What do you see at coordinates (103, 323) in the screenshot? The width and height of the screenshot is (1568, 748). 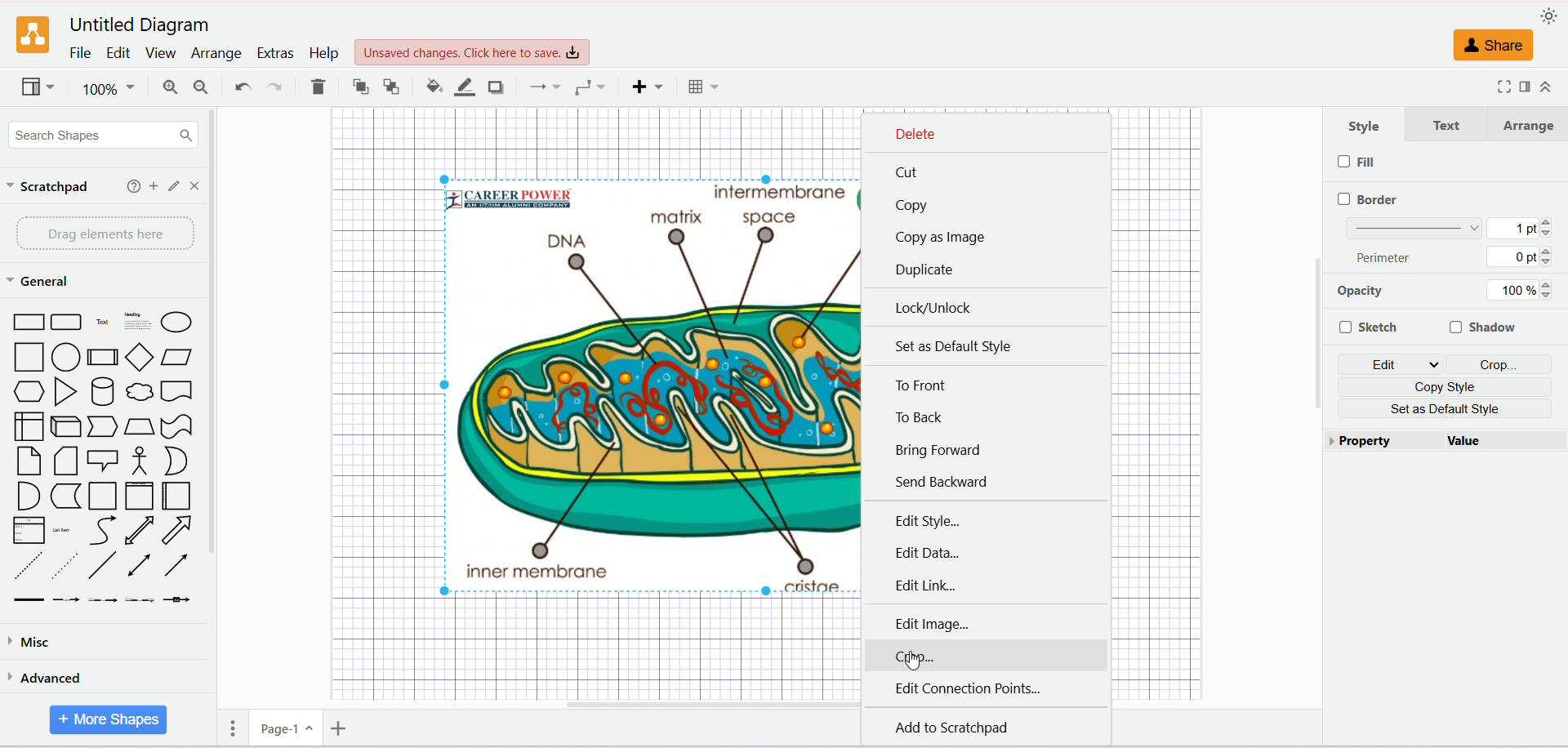 I see `Text` at bounding box center [103, 323].